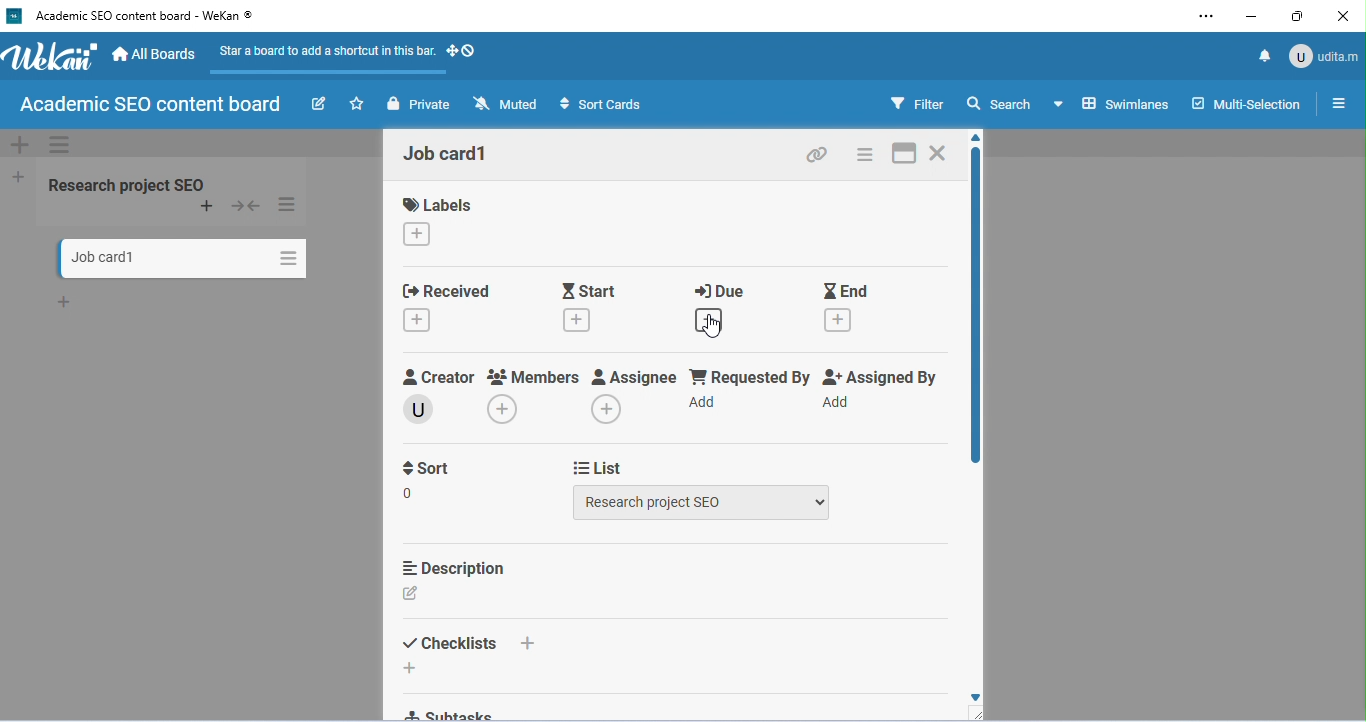 This screenshot has height=722, width=1366. What do you see at coordinates (126, 183) in the screenshot?
I see `research project SEO` at bounding box center [126, 183].